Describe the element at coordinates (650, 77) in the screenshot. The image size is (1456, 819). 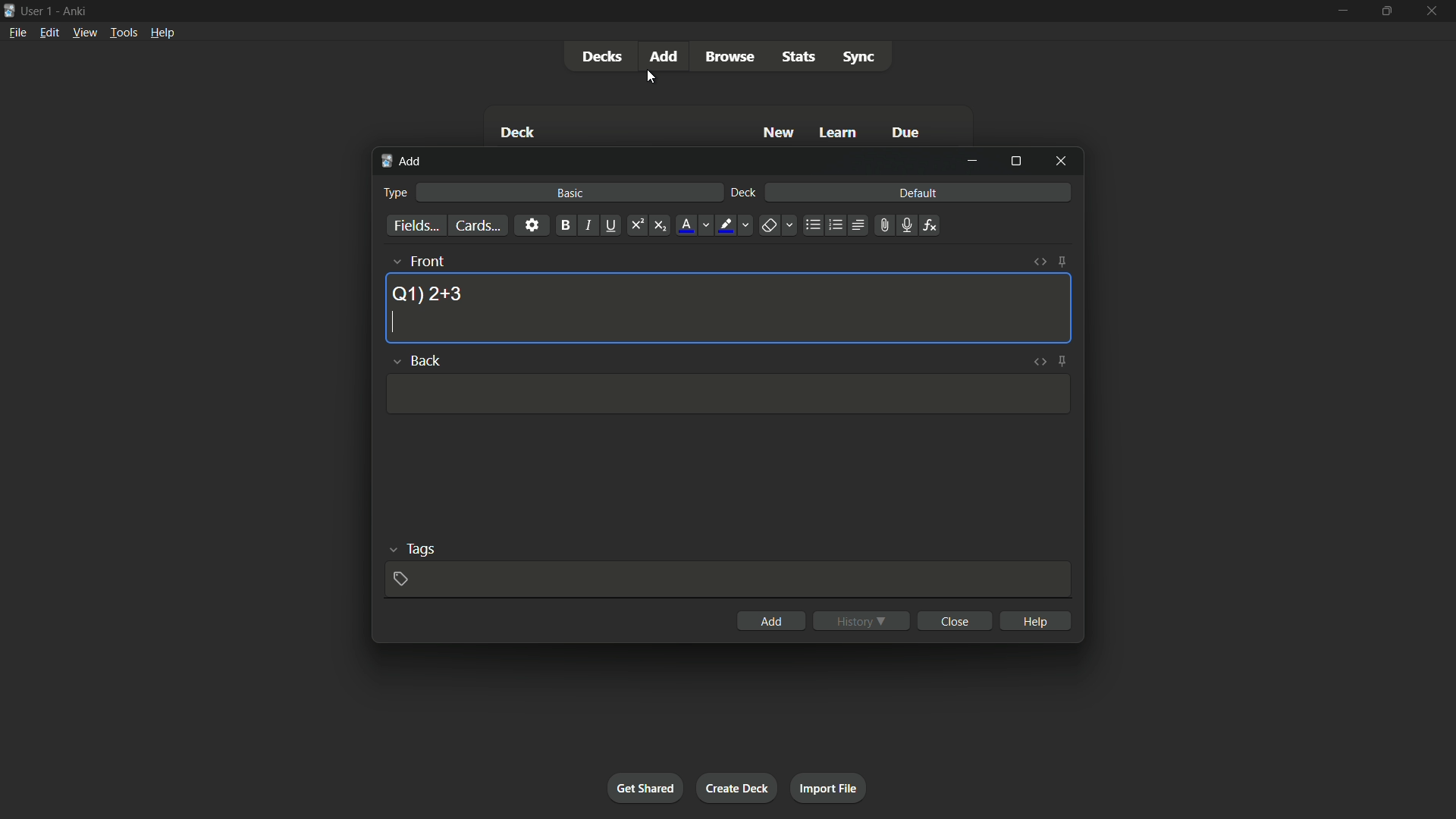
I see `cursor` at that location.